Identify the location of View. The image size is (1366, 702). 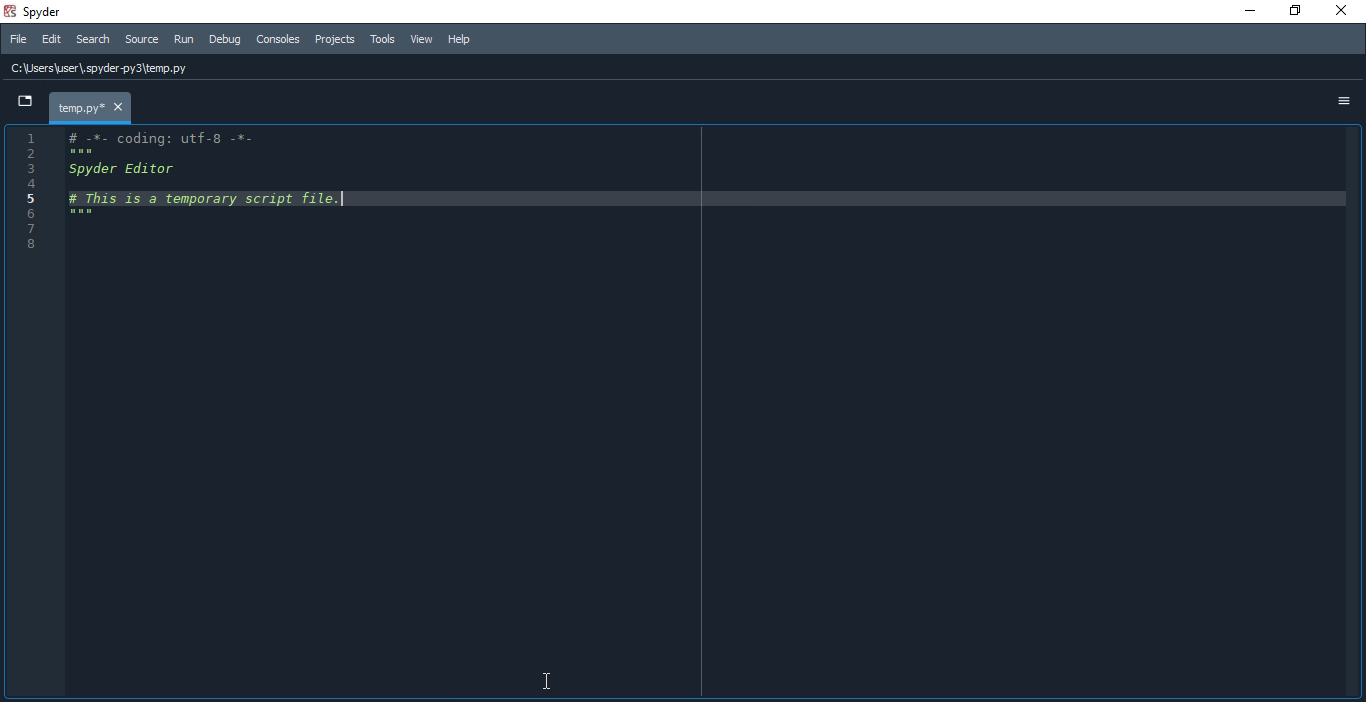
(423, 41).